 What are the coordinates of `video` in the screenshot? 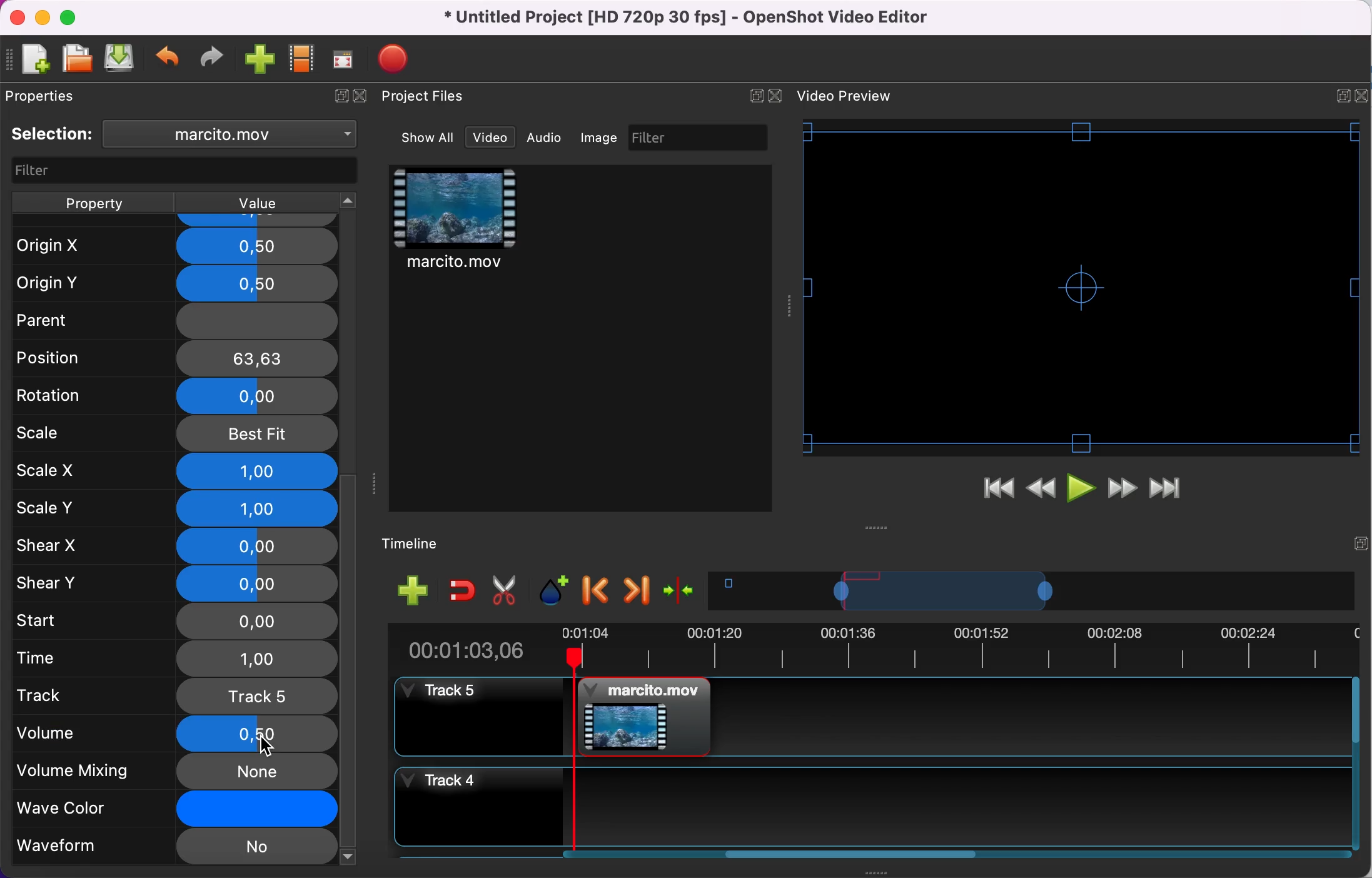 It's located at (490, 138).